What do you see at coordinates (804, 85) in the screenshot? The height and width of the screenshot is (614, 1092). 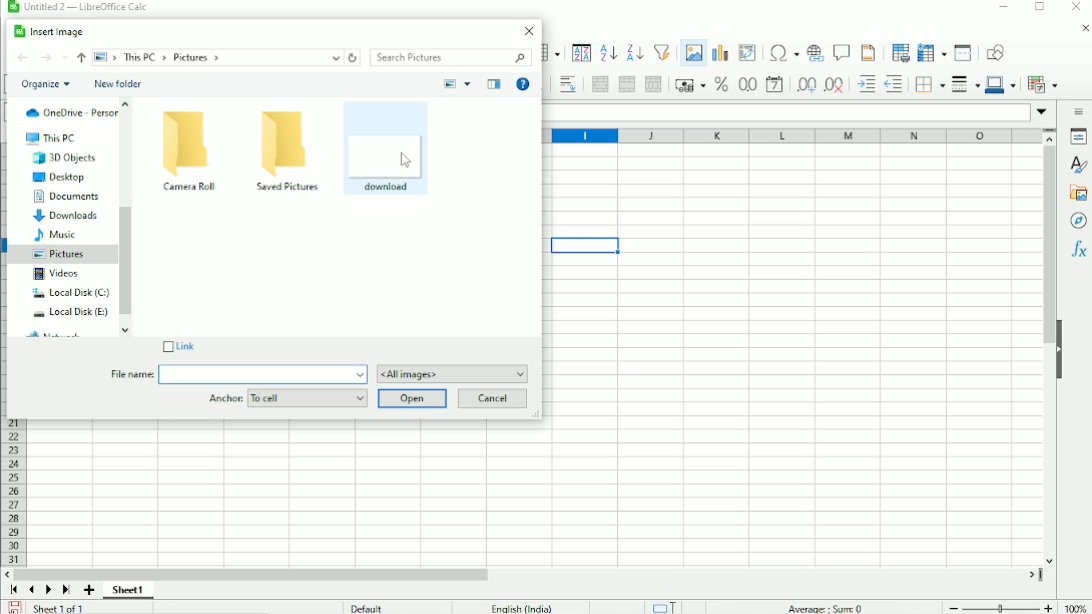 I see `Add decimal place` at bounding box center [804, 85].